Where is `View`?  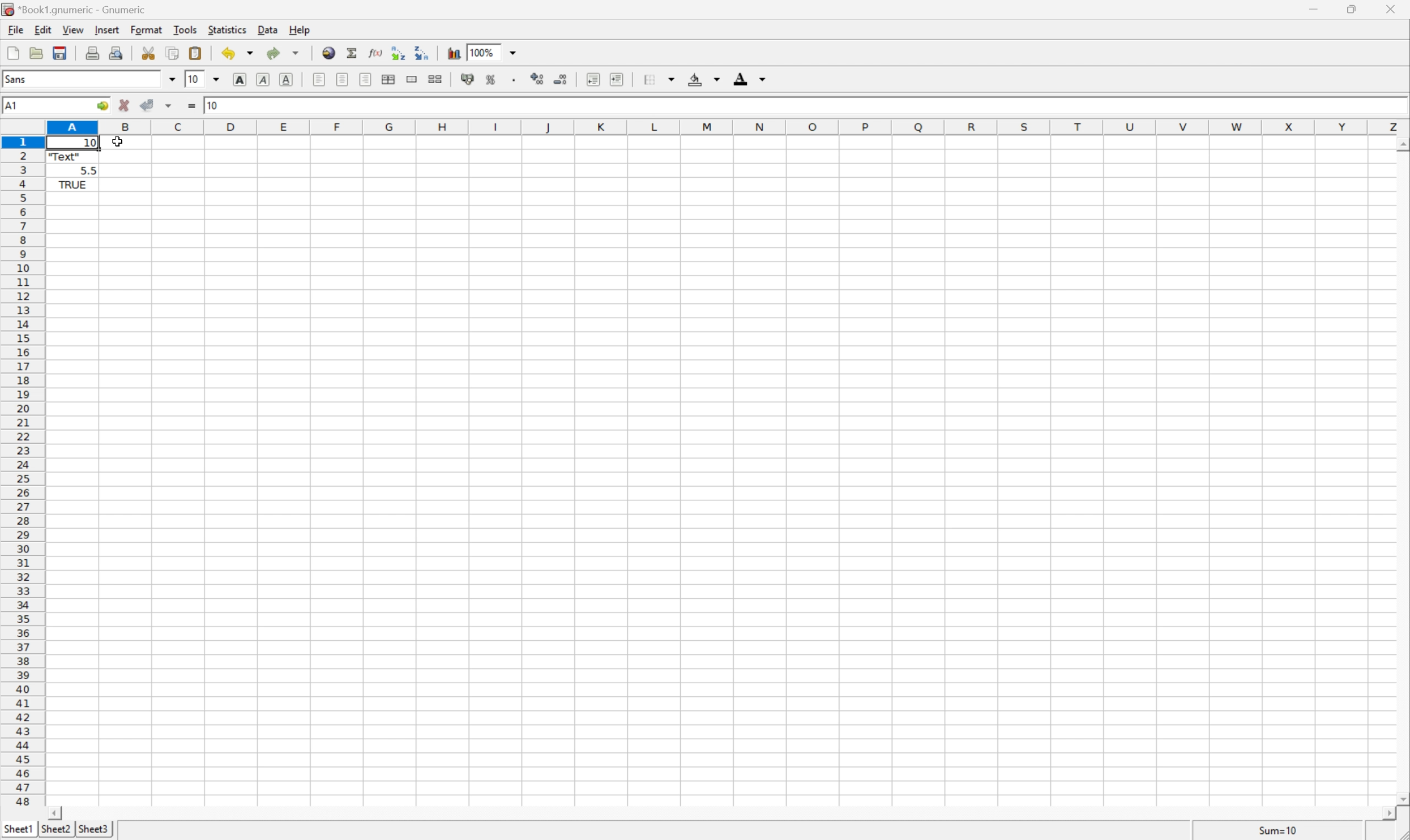
View is located at coordinates (73, 28).